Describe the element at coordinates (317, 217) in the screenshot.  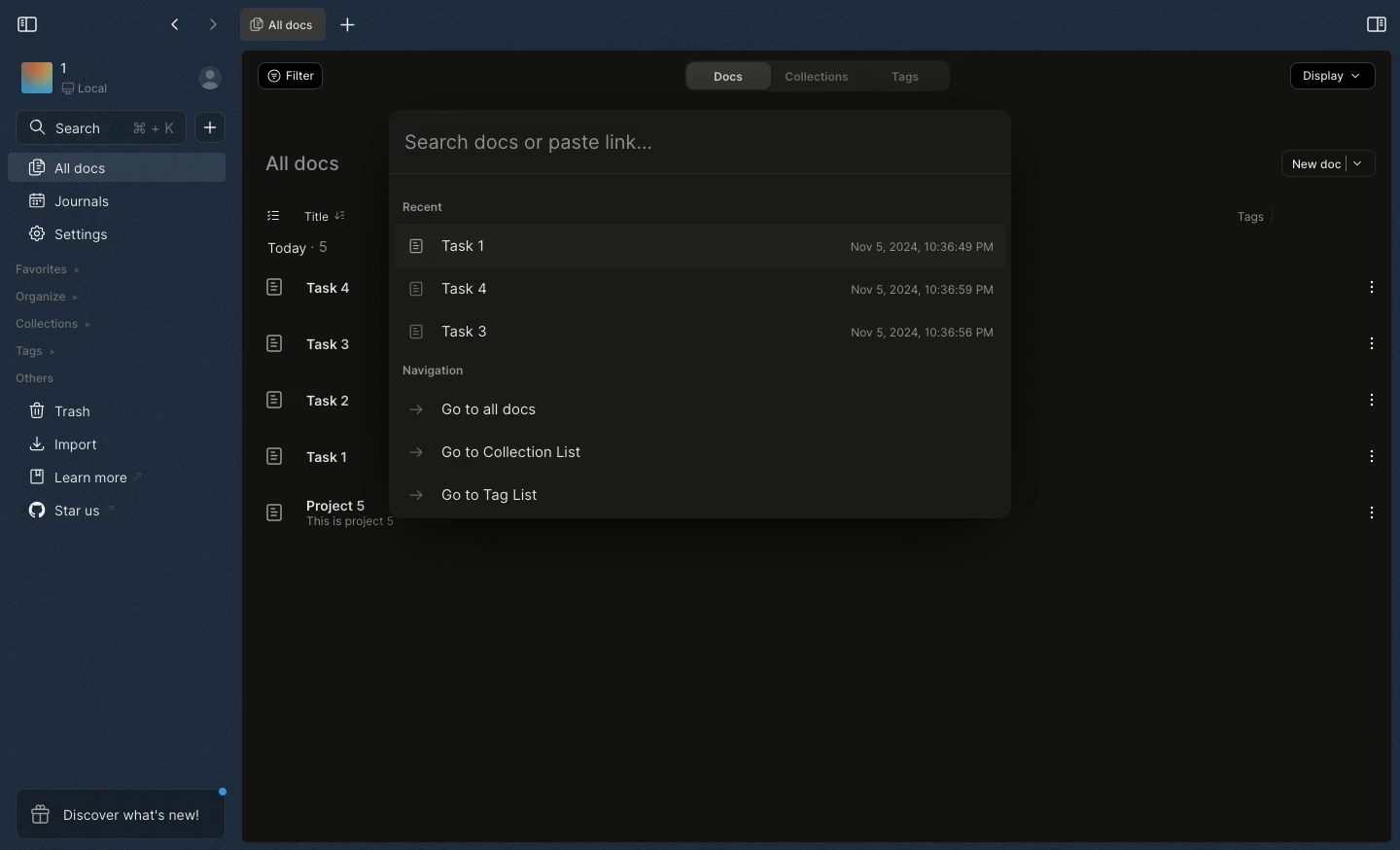
I see `Title` at that location.